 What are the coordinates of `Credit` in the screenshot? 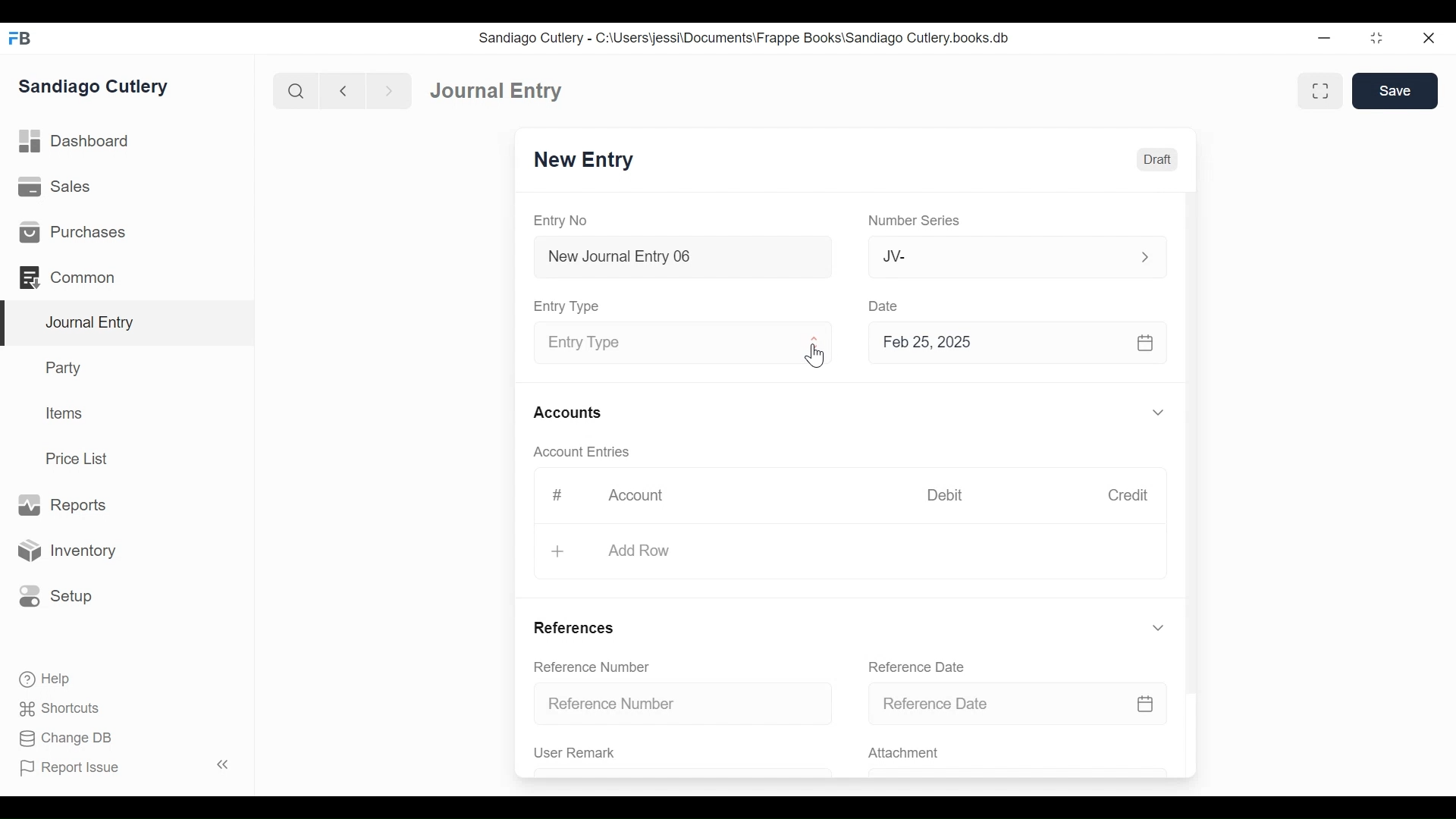 It's located at (1127, 495).